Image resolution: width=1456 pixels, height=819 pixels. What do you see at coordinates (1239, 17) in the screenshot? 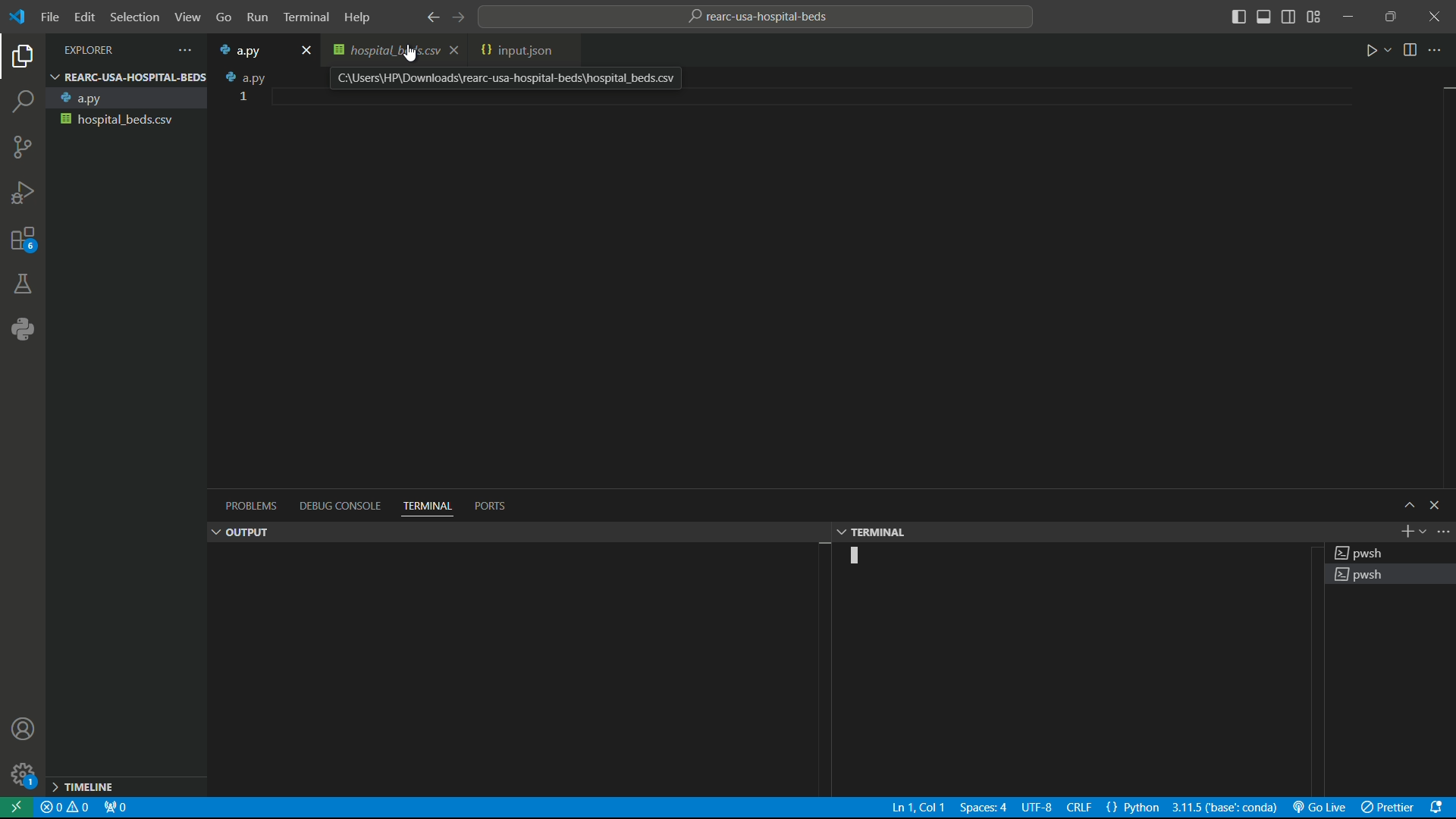
I see `toggle primary side bar` at bounding box center [1239, 17].